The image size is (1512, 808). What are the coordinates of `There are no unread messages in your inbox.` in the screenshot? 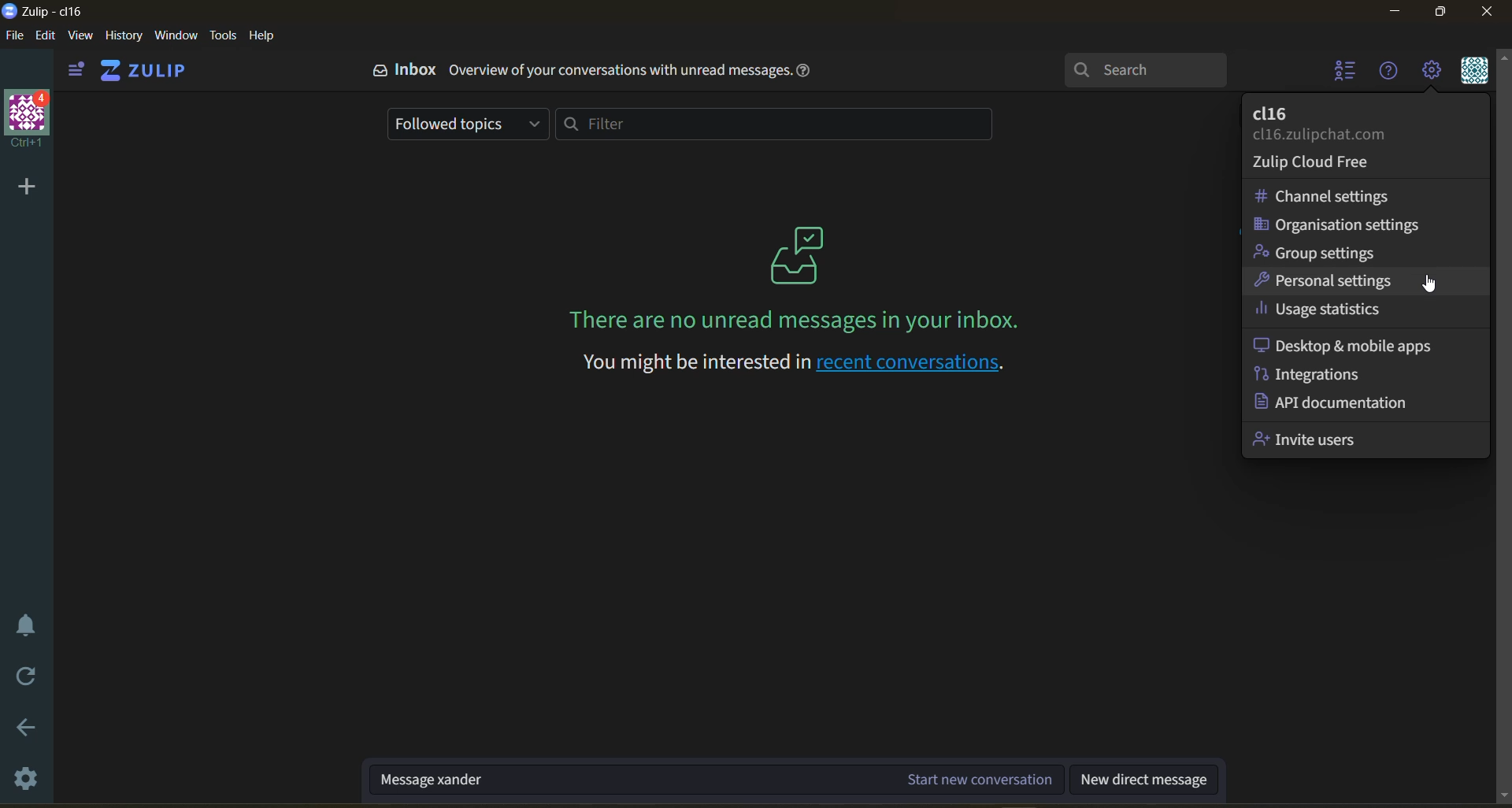 It's located at (787, 321).